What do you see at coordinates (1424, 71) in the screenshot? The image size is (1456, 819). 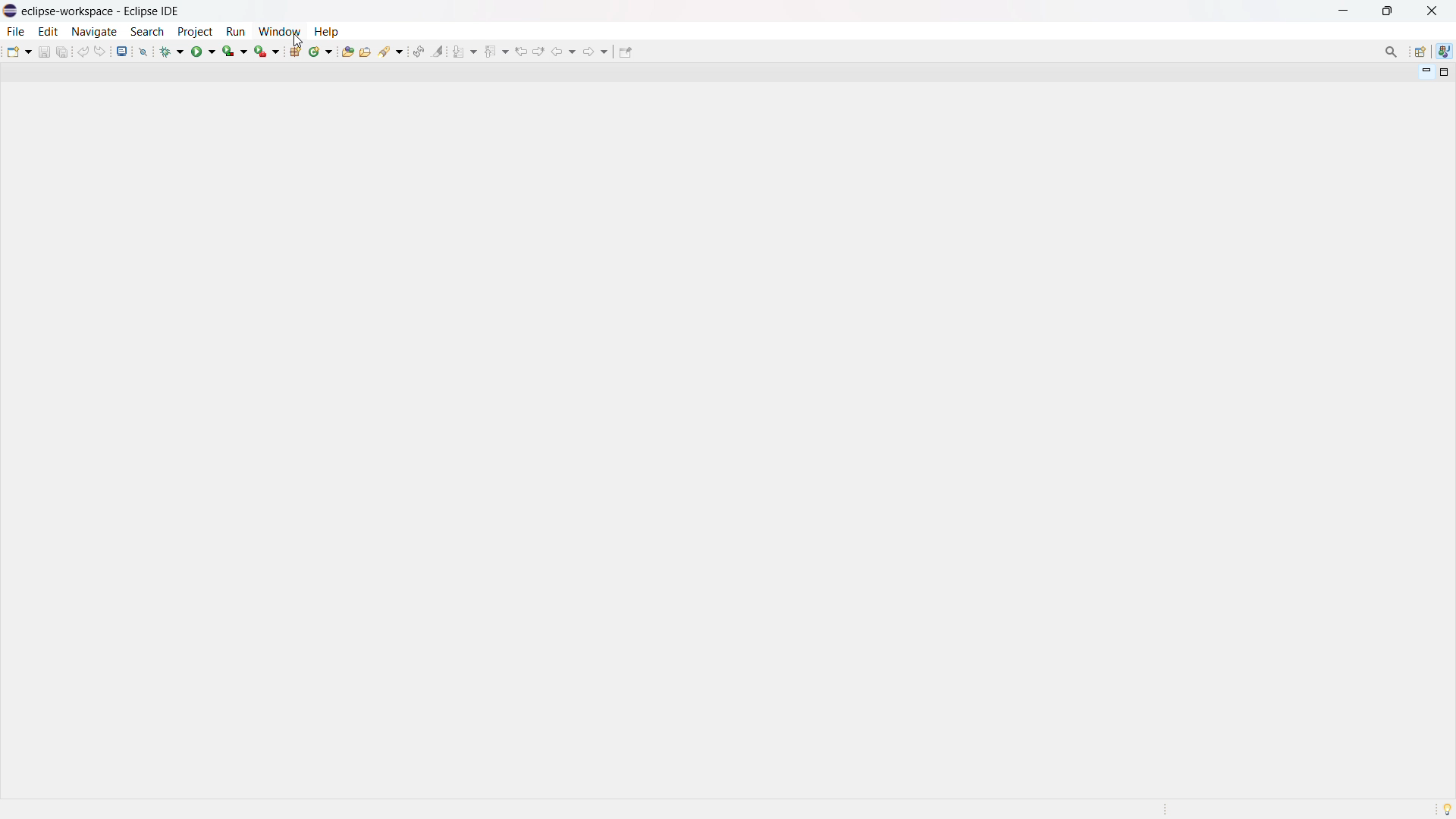 I see `minimize view` at bounding box center [1424, 71].